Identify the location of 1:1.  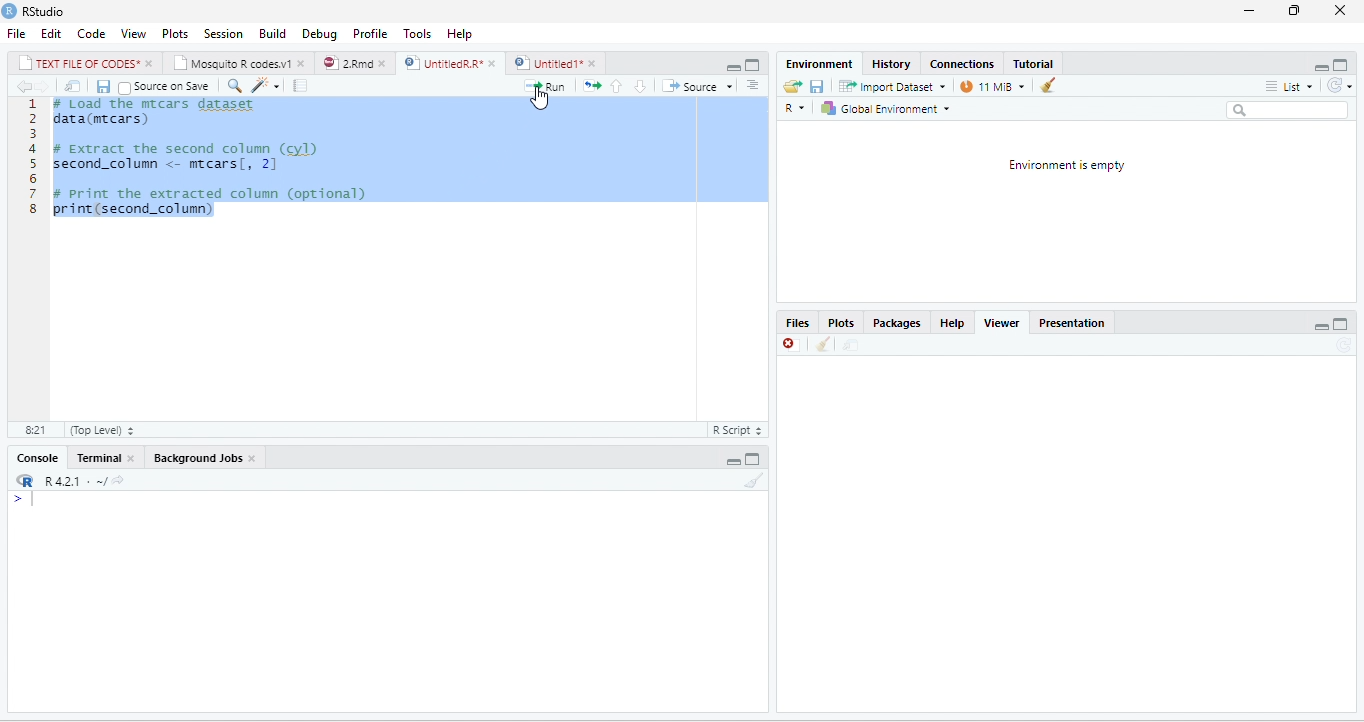
(33, 431).